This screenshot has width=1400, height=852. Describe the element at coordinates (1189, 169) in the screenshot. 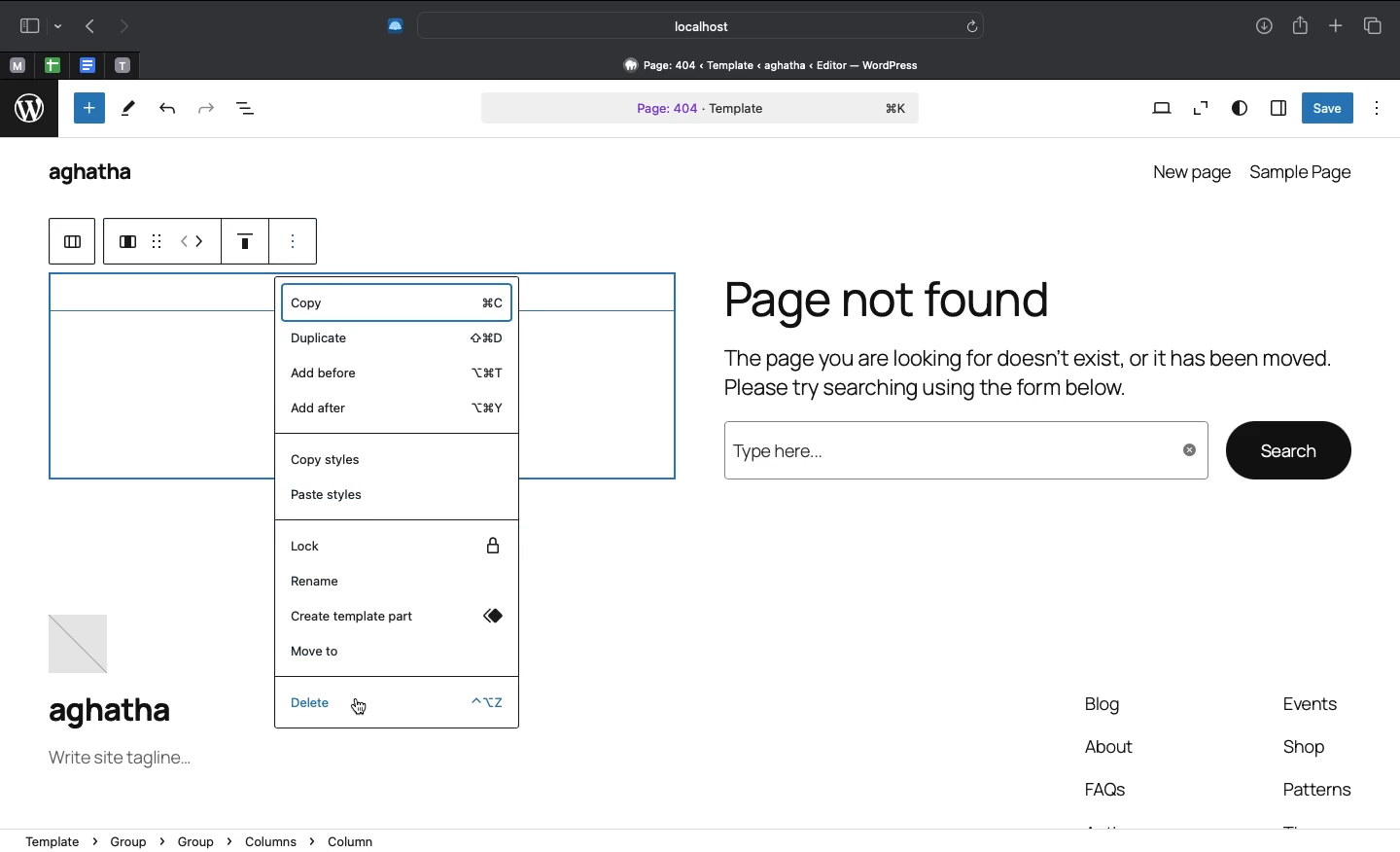

I see `New page` at that location.